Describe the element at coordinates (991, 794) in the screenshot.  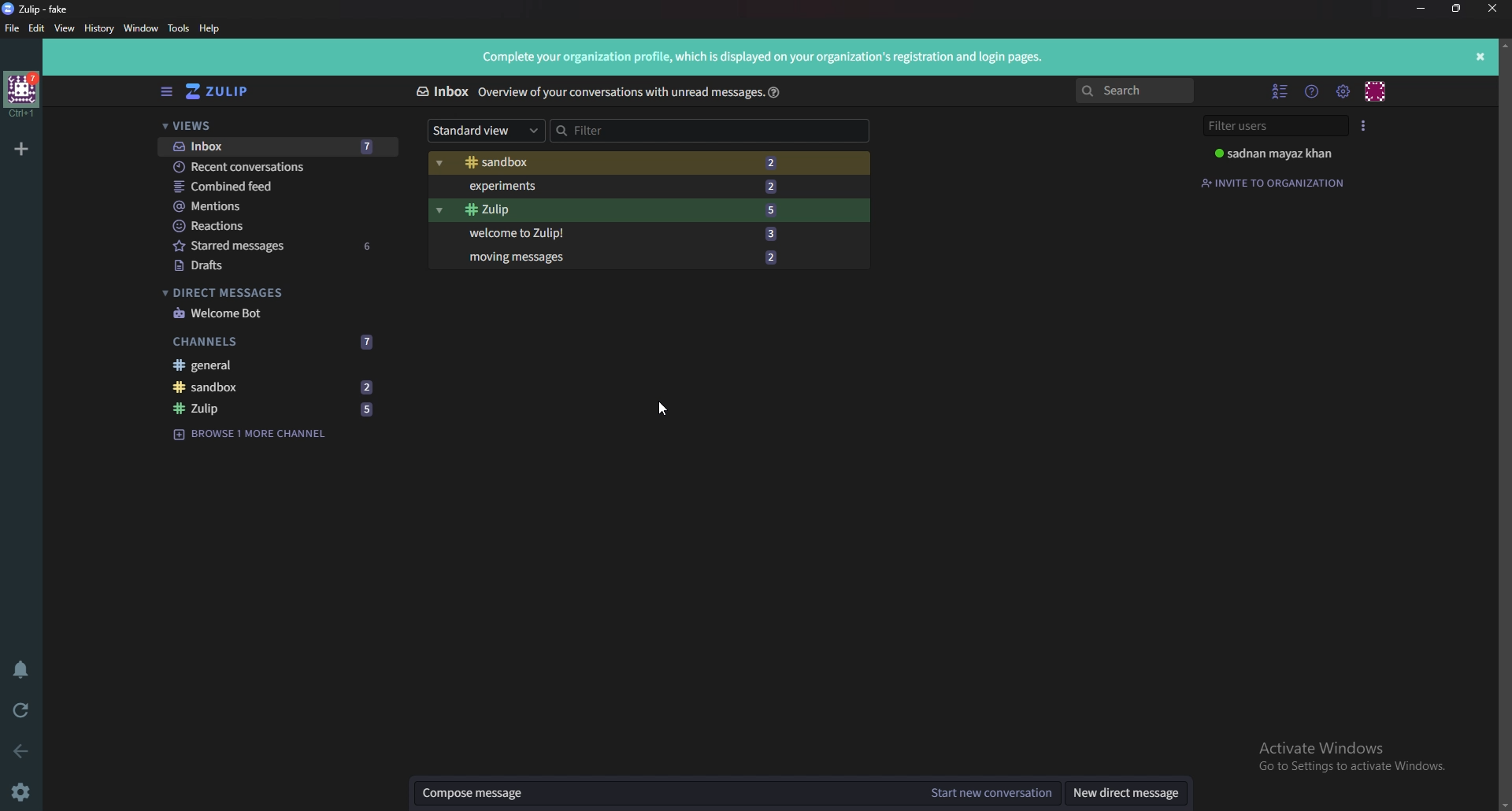
I see `Start new conversation` at that location.